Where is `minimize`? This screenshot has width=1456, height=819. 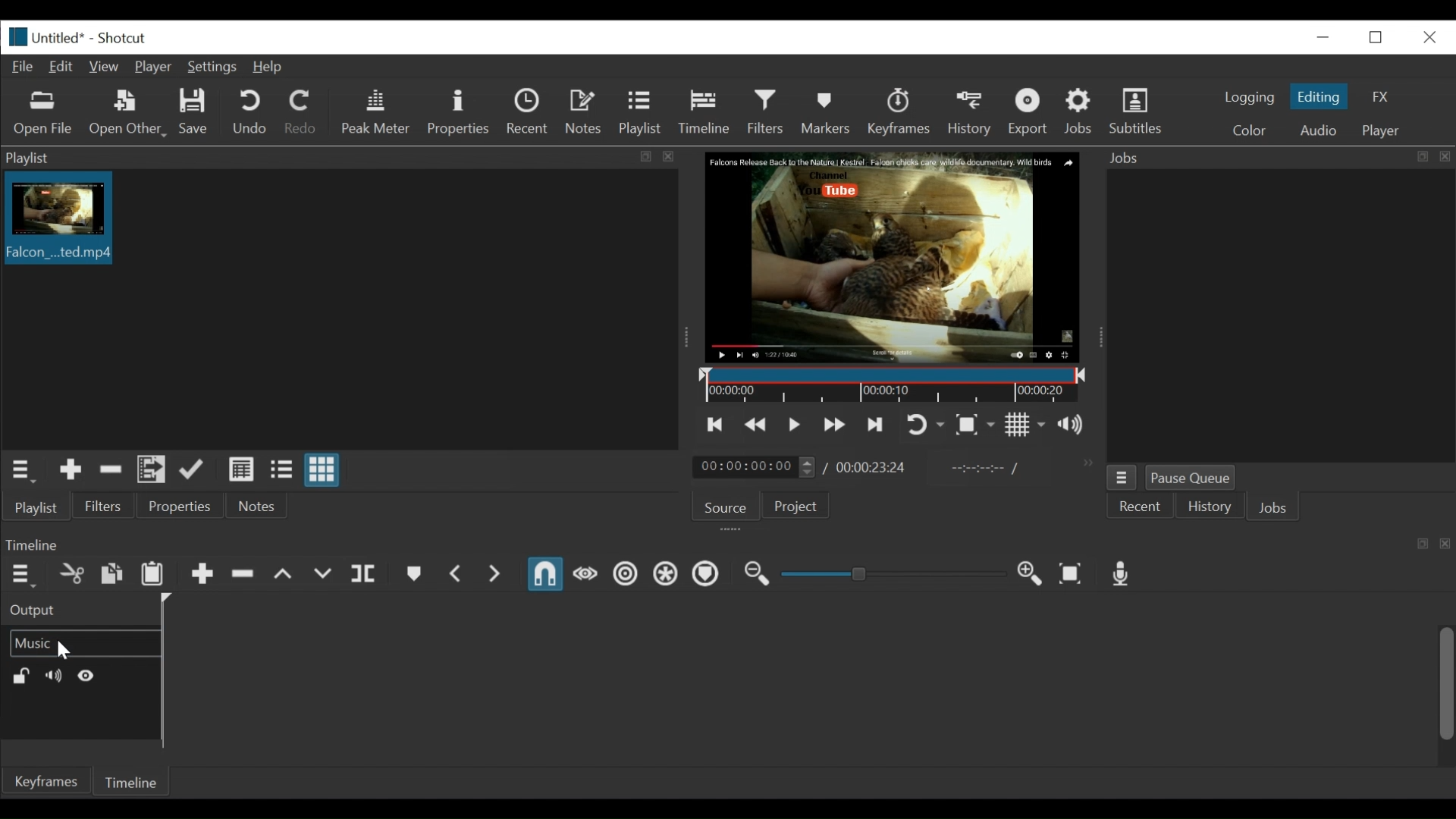
minimize is located at coordinates (1323, 37).